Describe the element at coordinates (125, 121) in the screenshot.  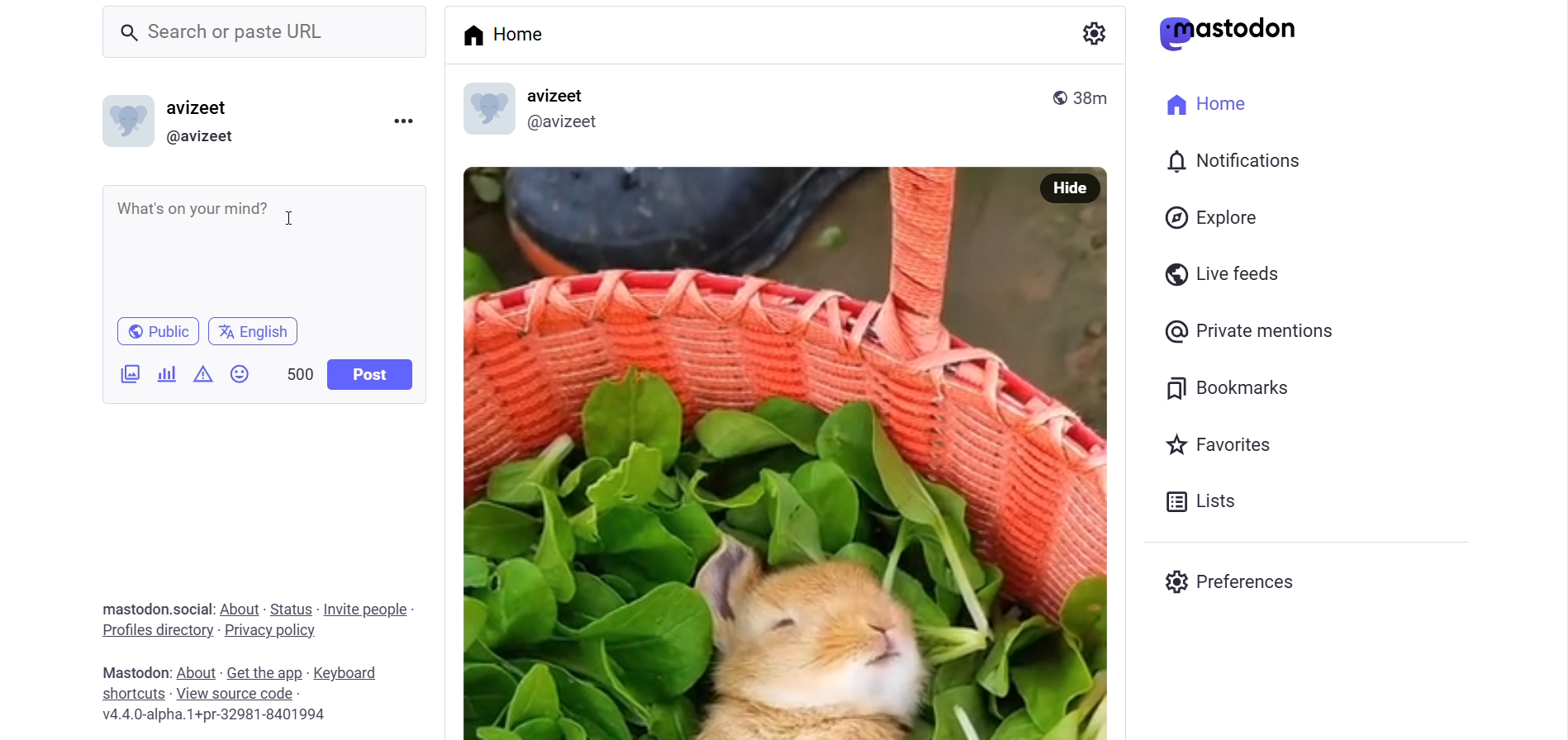
I see `Profile Picture` at that location.